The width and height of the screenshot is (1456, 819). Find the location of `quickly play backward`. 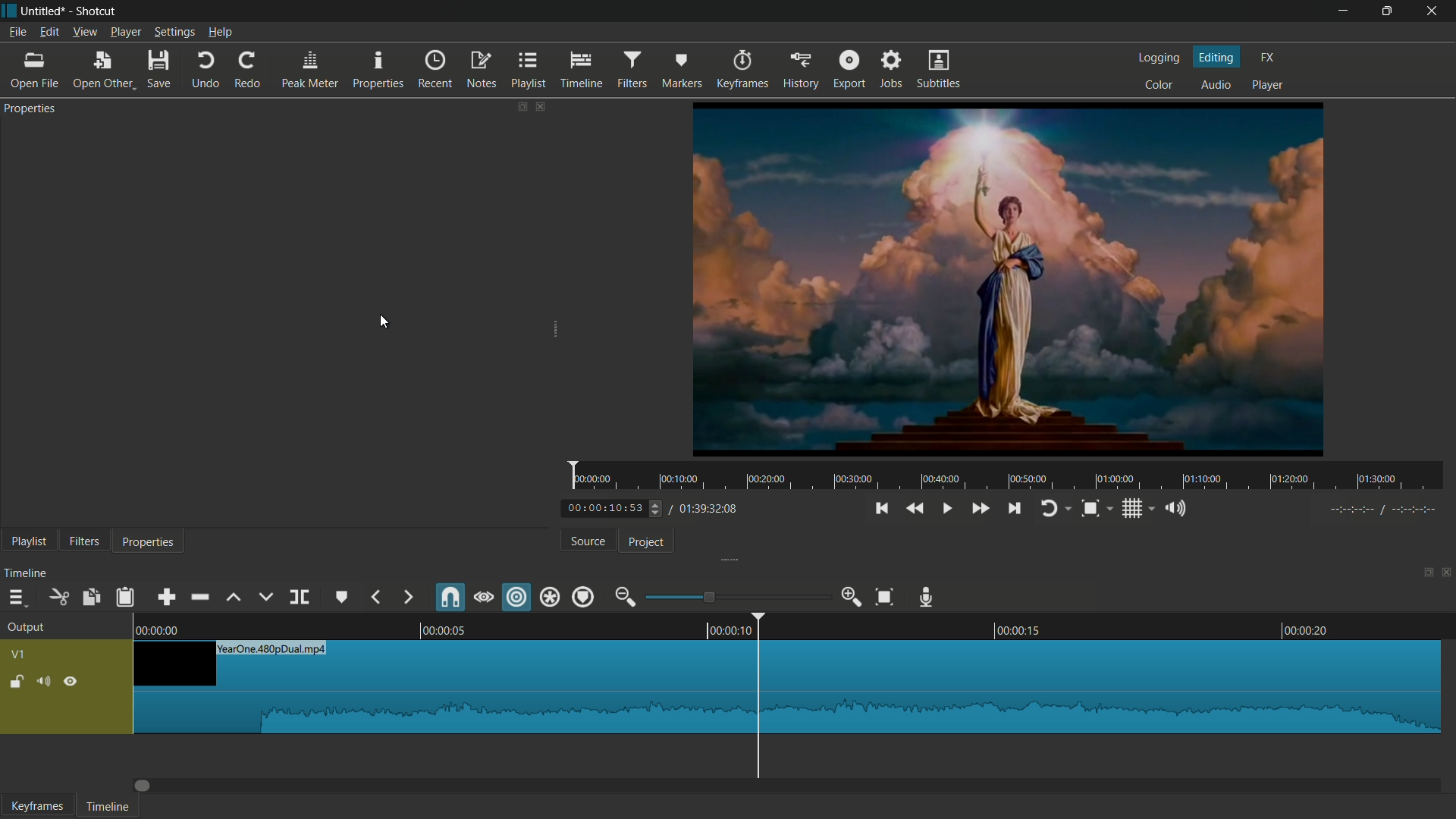

quickly play backward is located at coordinates (914, 507).